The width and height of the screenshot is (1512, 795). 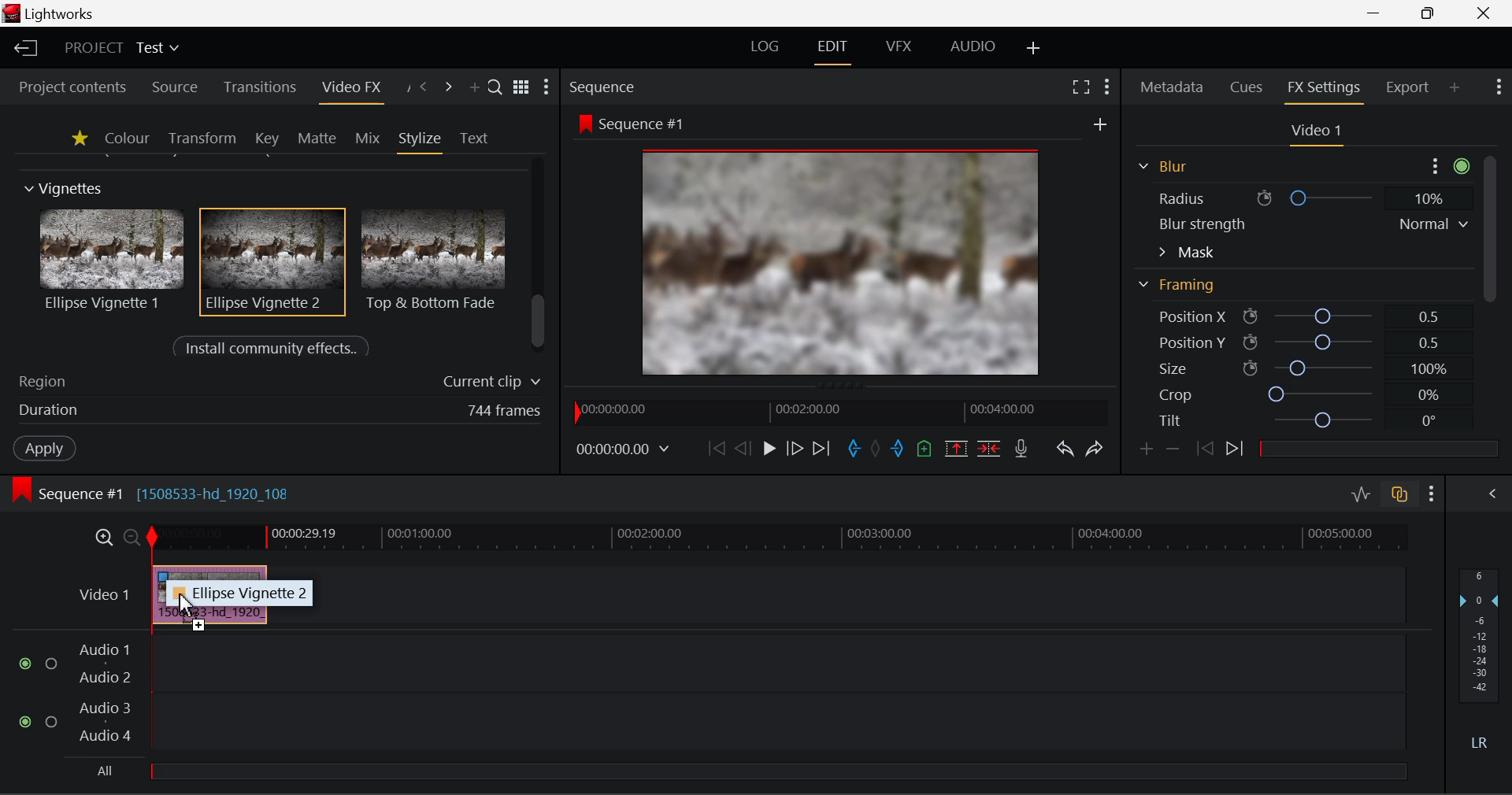 What do you see at coordinates (1170, 88) in the screenshot?
I see `Metadata Panel` at bounding box center [1170, 88].